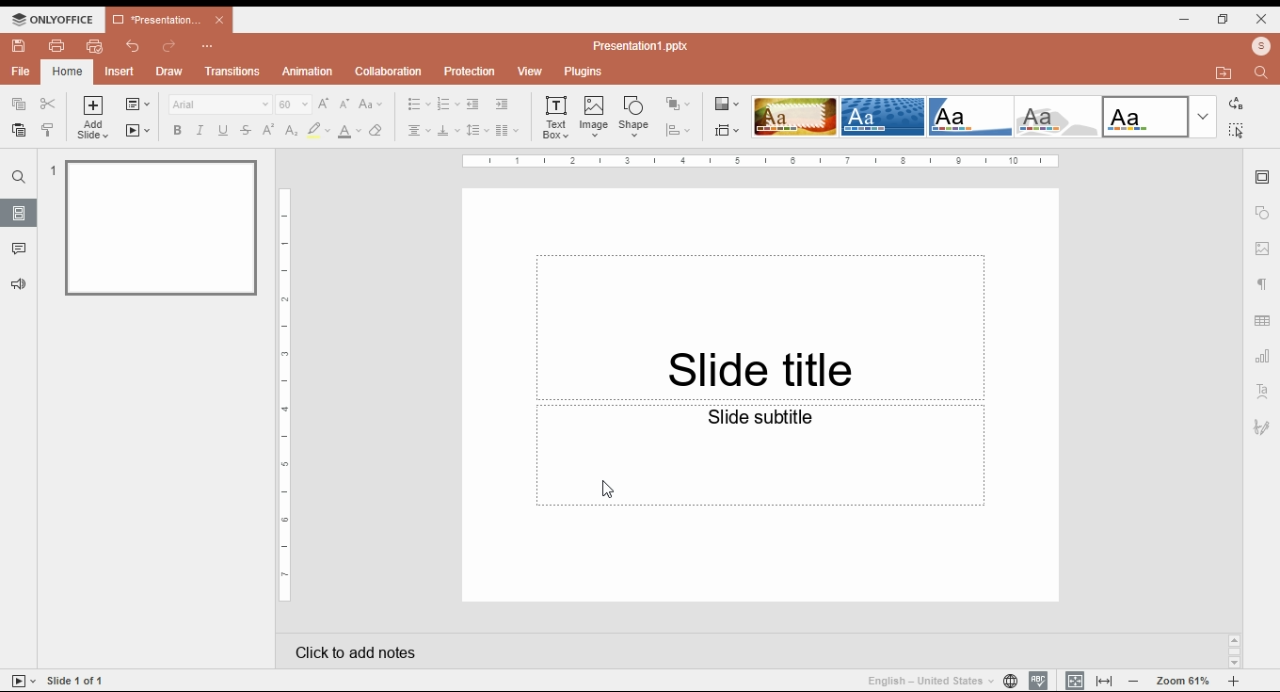  Describe the element at coordinates (1203, 117) in the screenshot. I see `more slide theme options` at that location.